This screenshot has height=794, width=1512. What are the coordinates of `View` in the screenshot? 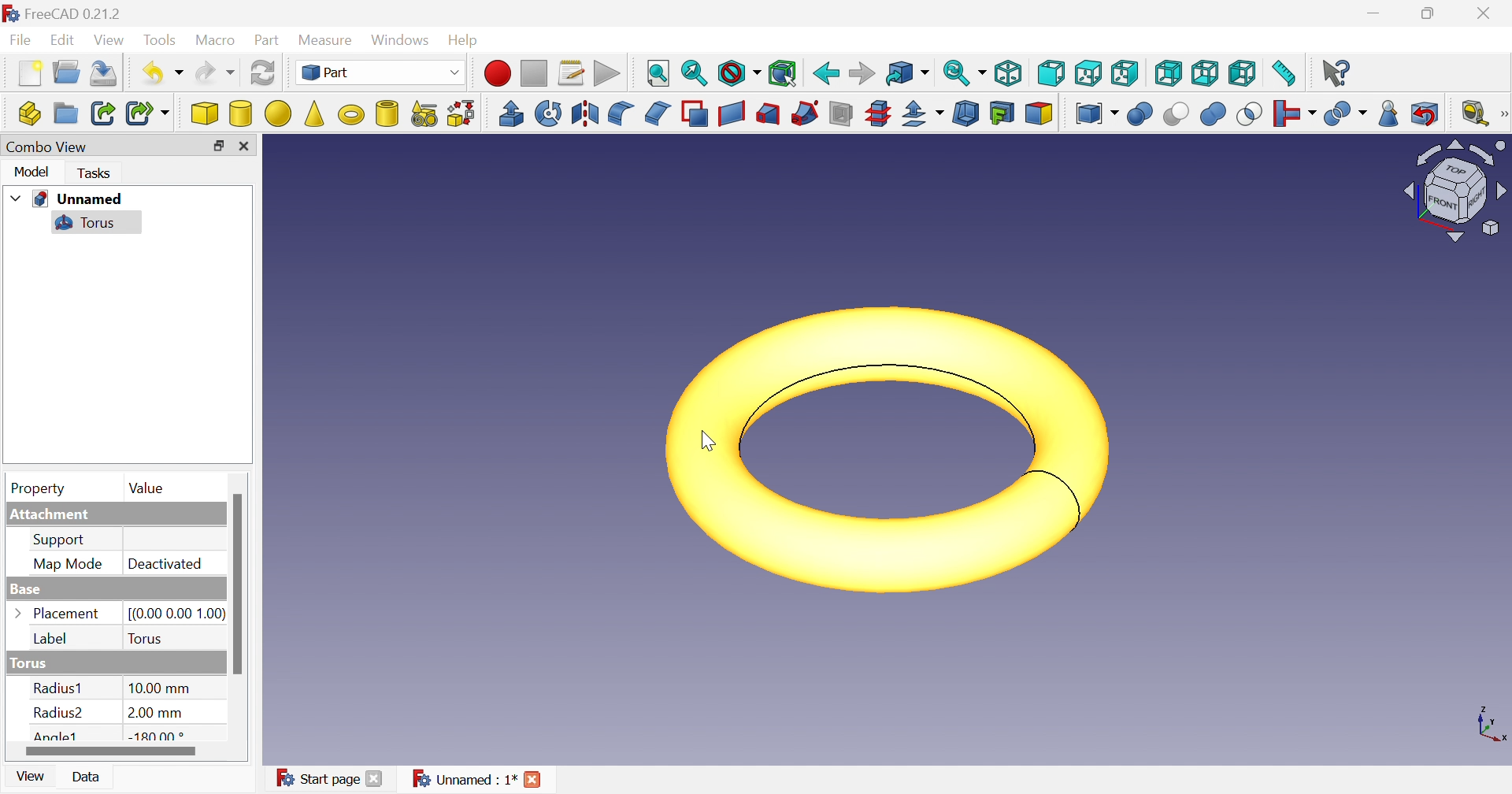 It's located at (110, 39).